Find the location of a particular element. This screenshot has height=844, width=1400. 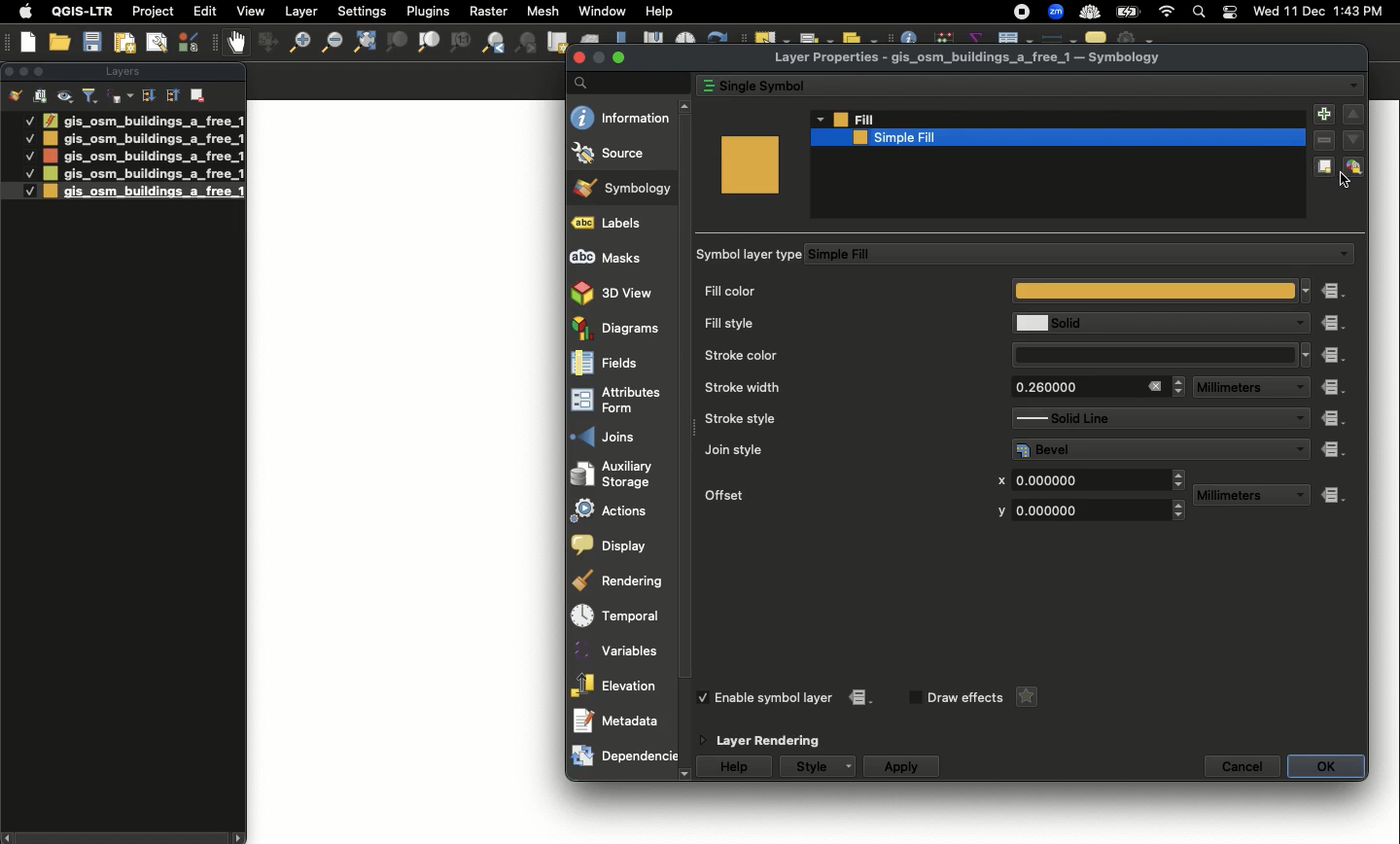

Cursor is located at coordinates (1345, 180).